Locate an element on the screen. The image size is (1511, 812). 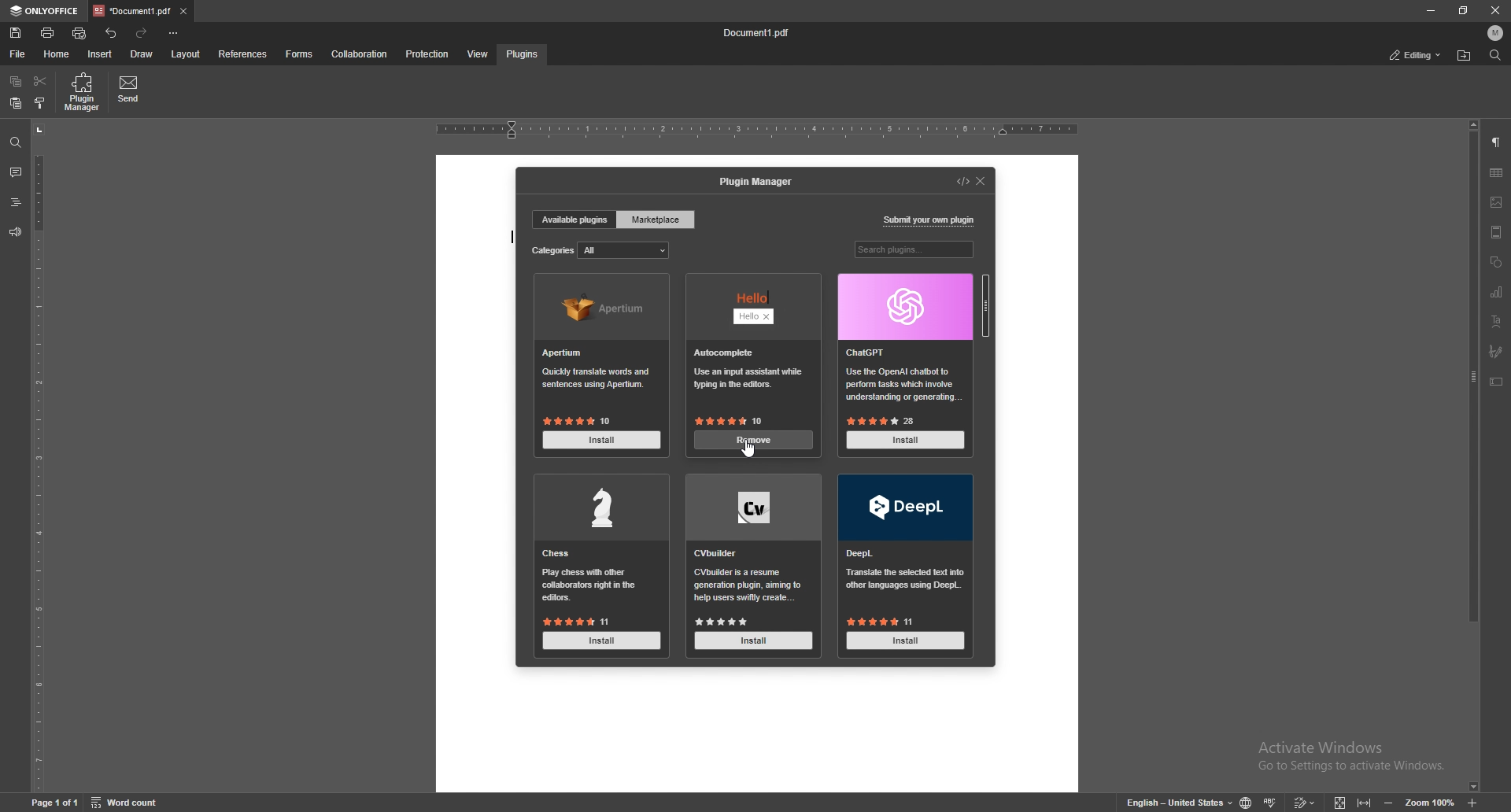
text art is located at coordinates (1498, 321).